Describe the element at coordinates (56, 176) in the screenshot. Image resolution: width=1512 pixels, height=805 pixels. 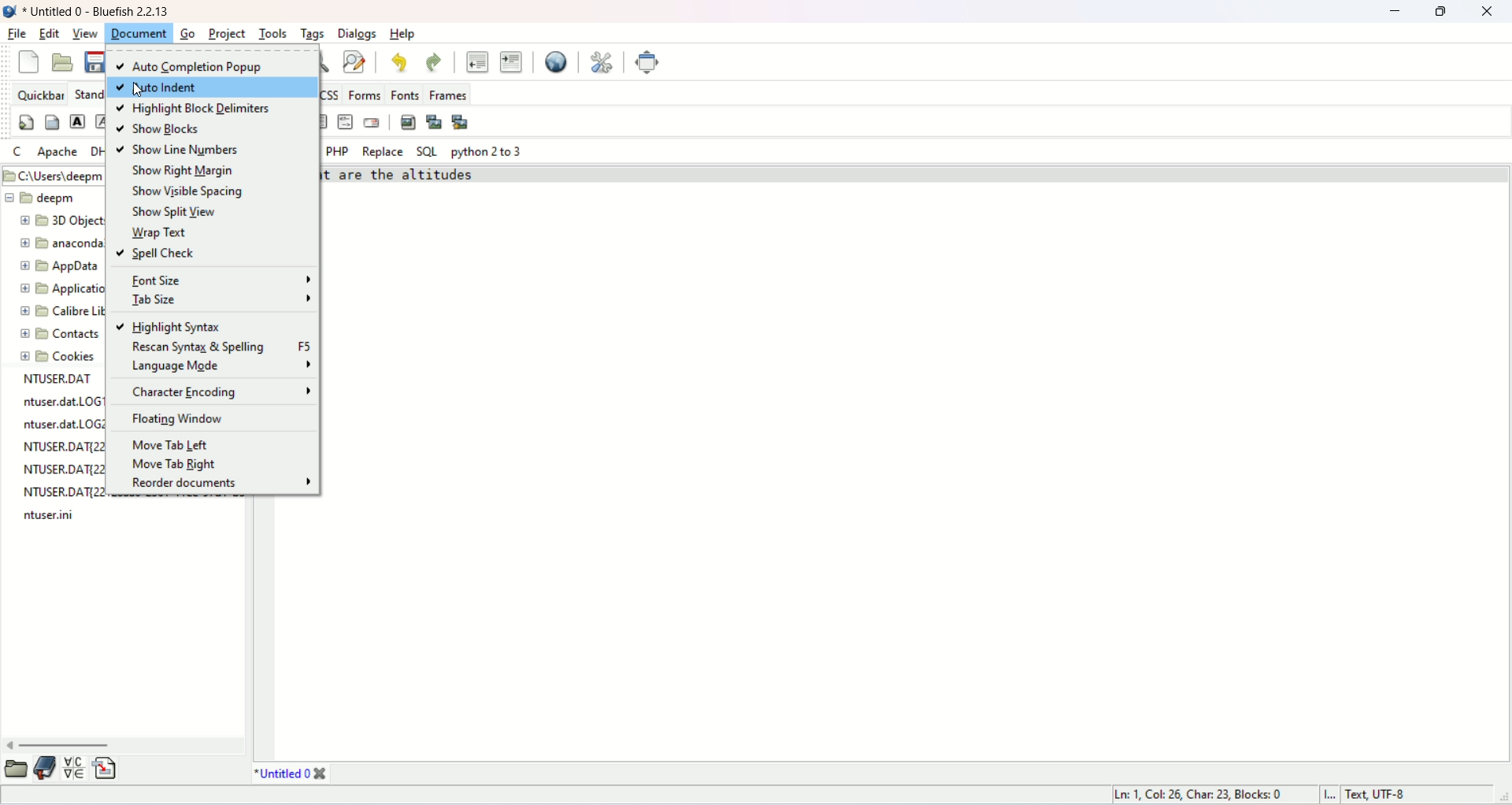
I see `location` at that location.